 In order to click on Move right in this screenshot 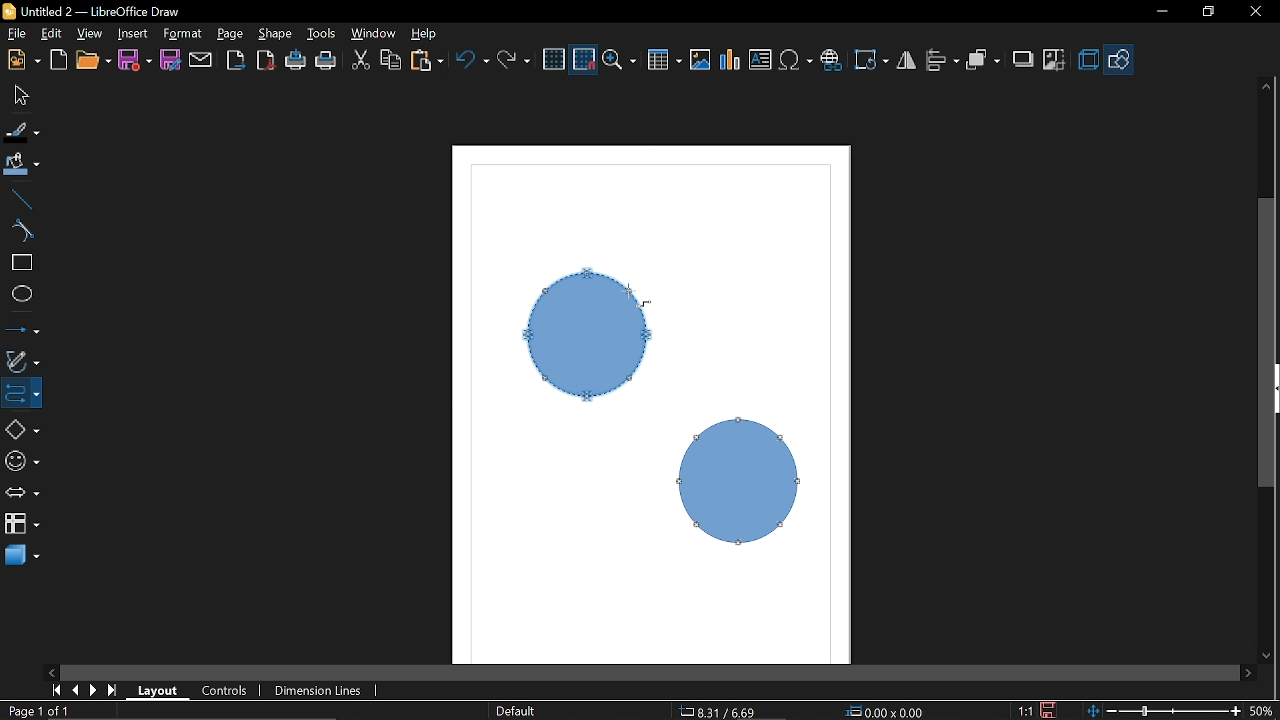, I will do `click(1251, 674)`.